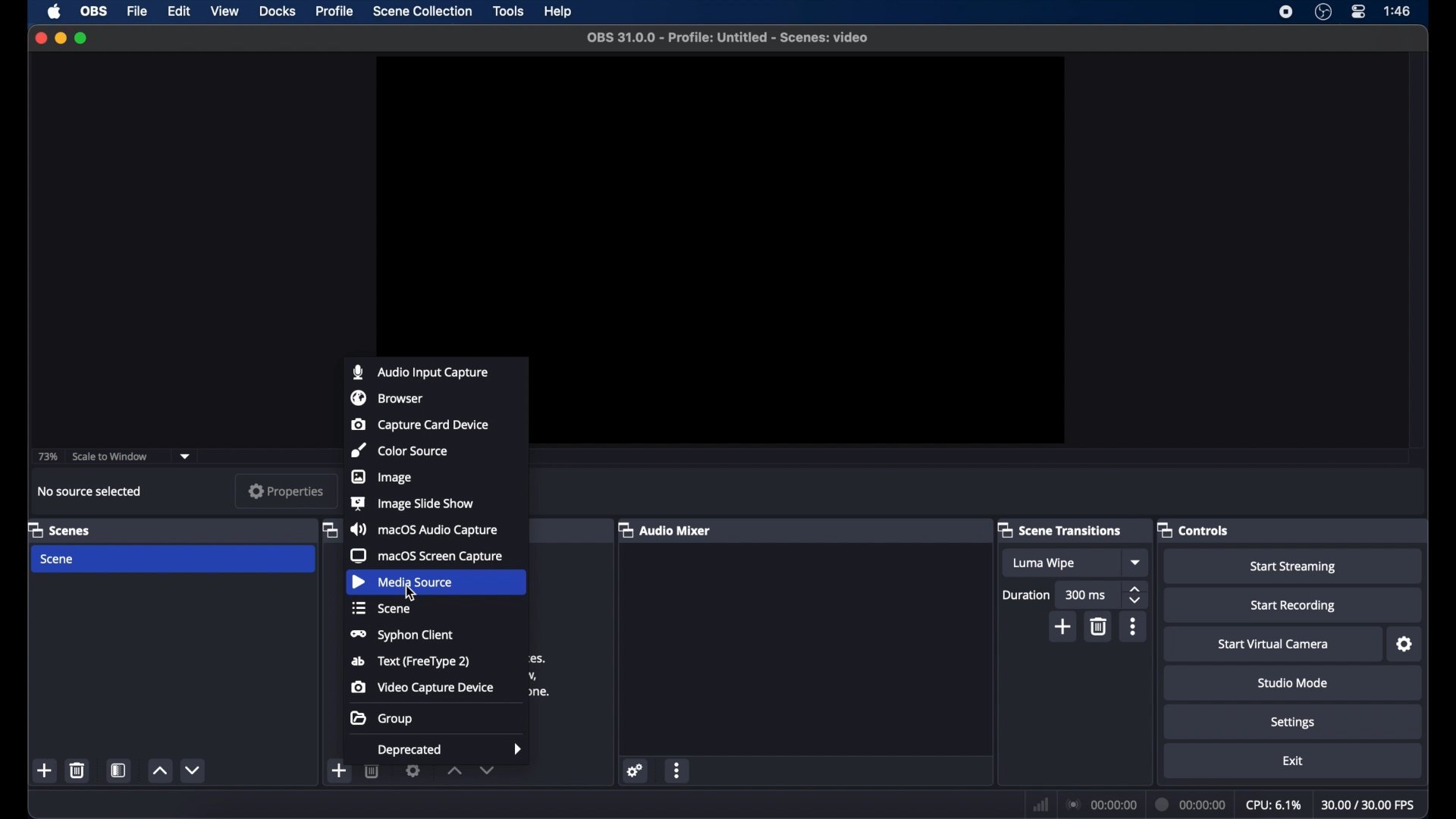 This screenshot has height=819, width=1456. What do you see at coordinates (1086, 595) in the screenshot?
I see `300 ms` at bounding box center [1086, 595].